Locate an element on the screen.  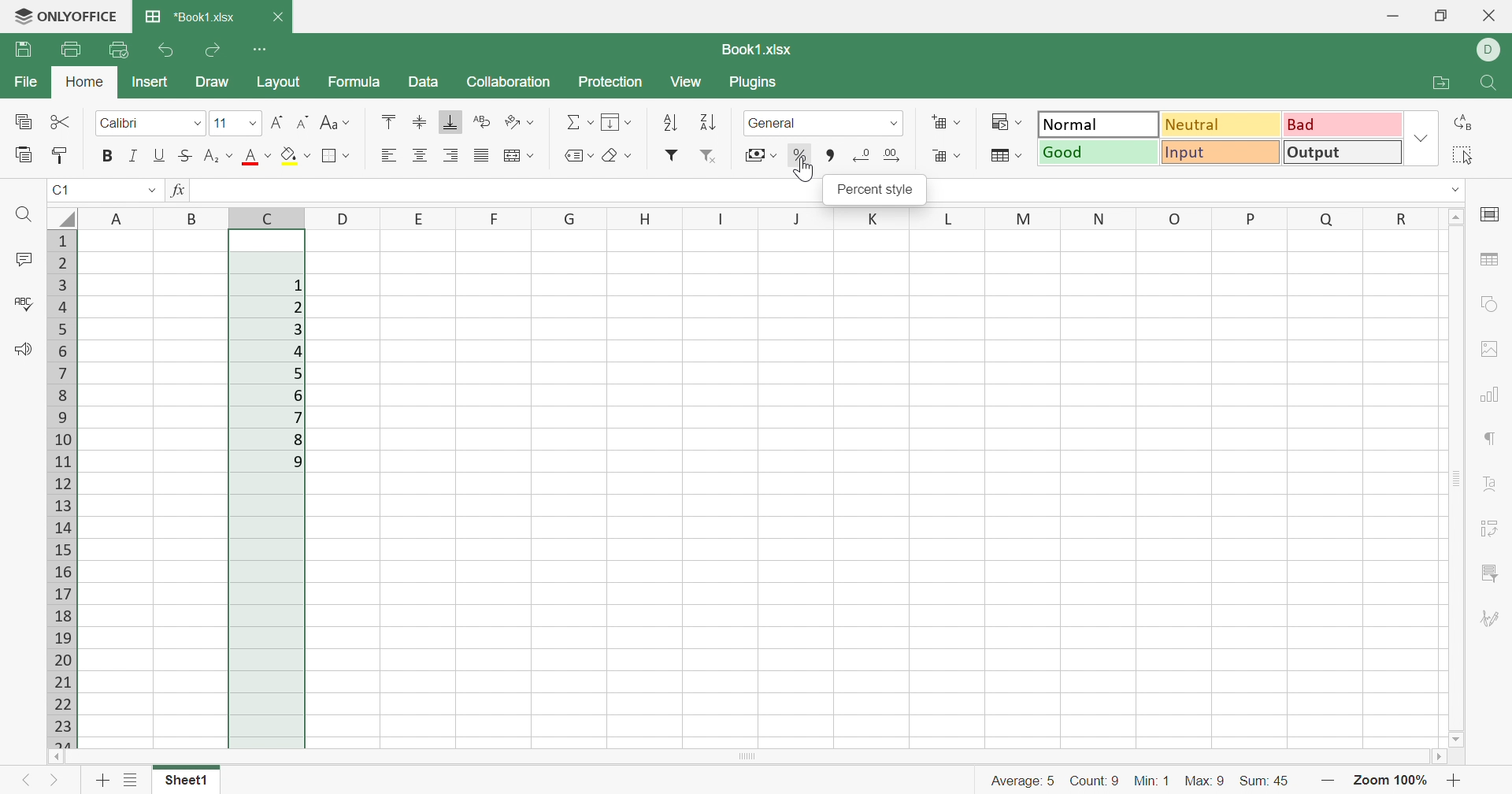
Zoom out is located at coordinates (1454, 781).